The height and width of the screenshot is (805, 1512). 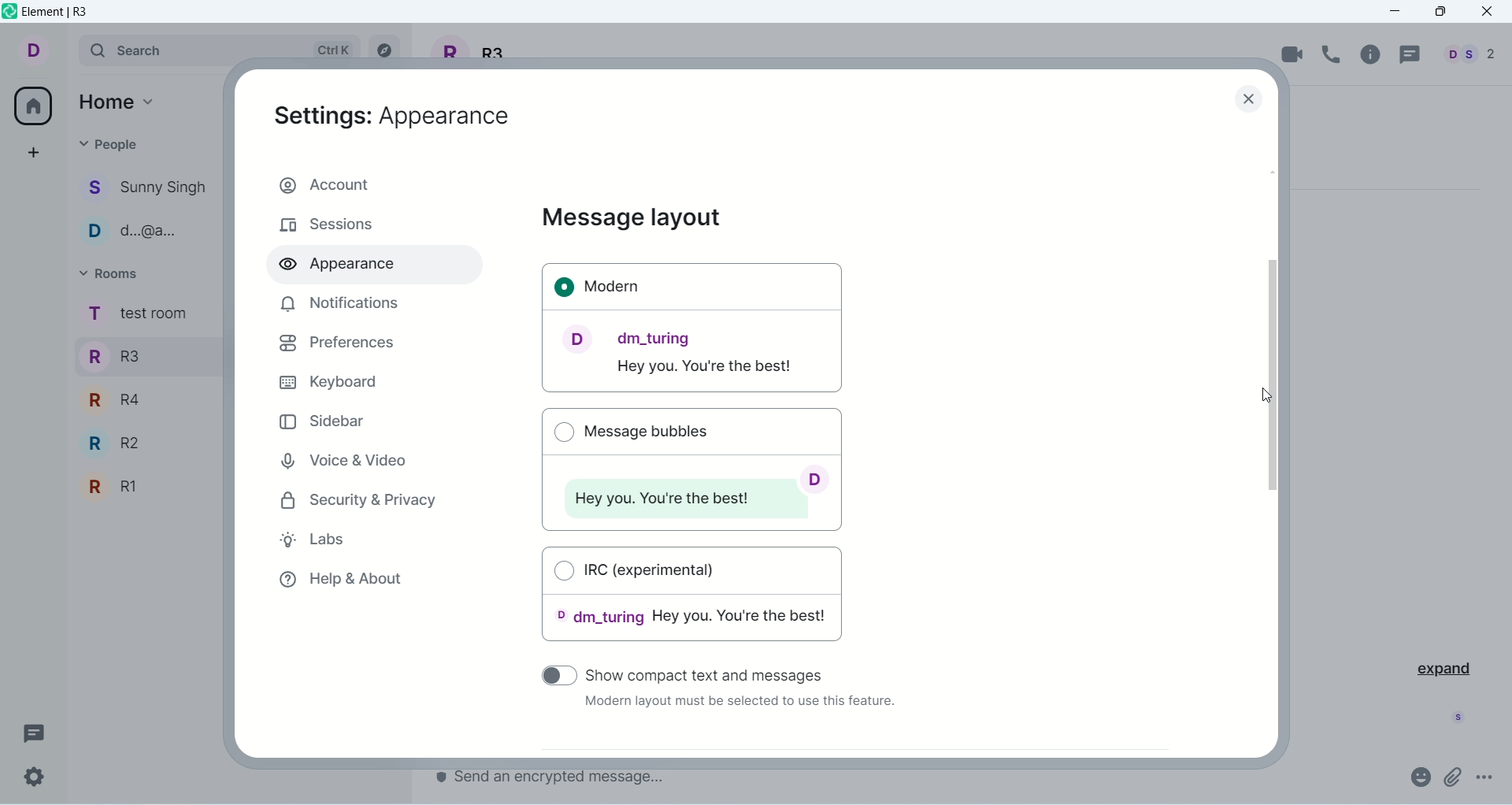 I want to click on modern, so click(x=693, y=329).